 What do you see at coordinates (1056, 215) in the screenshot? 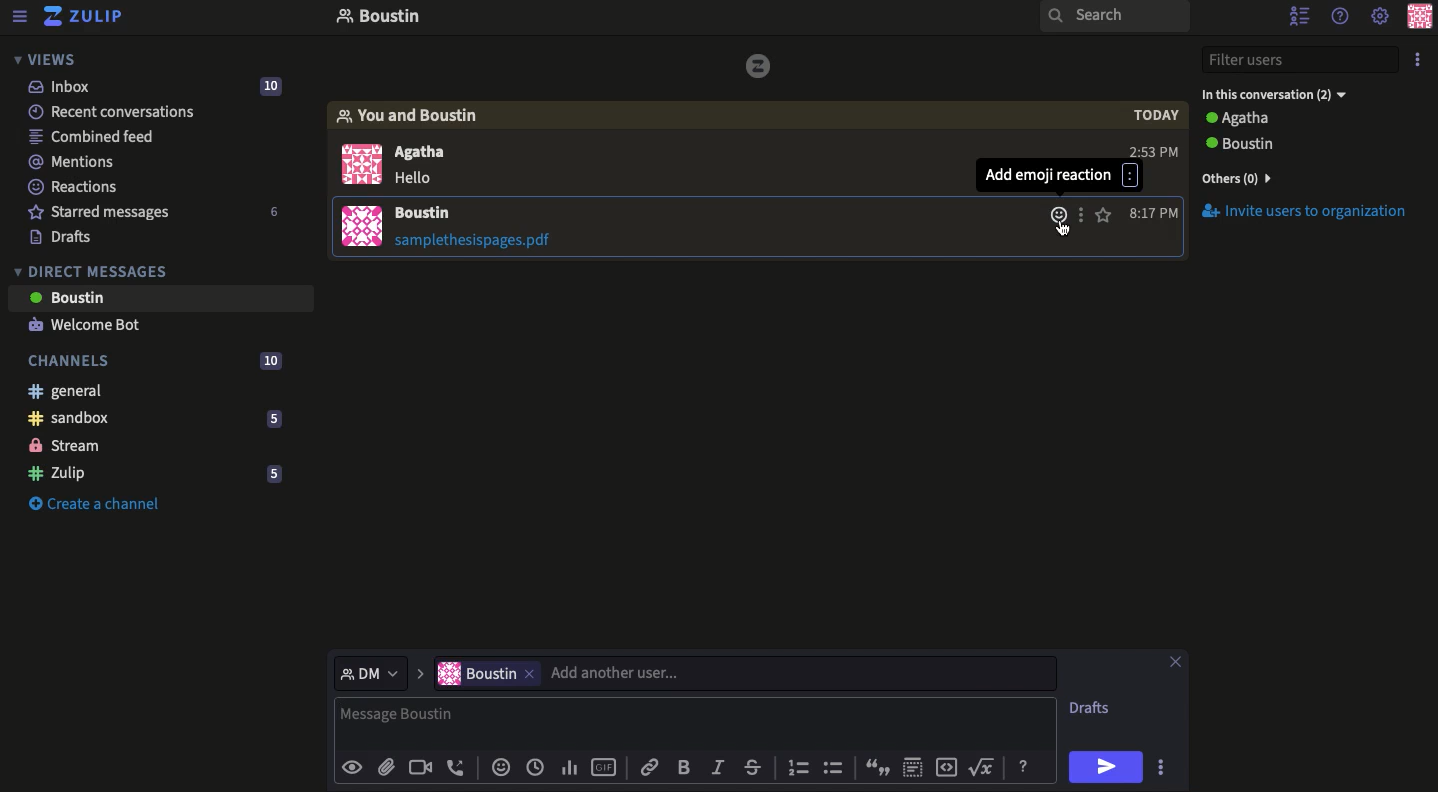
I see `Add reaction` at bounding box center [1056, 215].